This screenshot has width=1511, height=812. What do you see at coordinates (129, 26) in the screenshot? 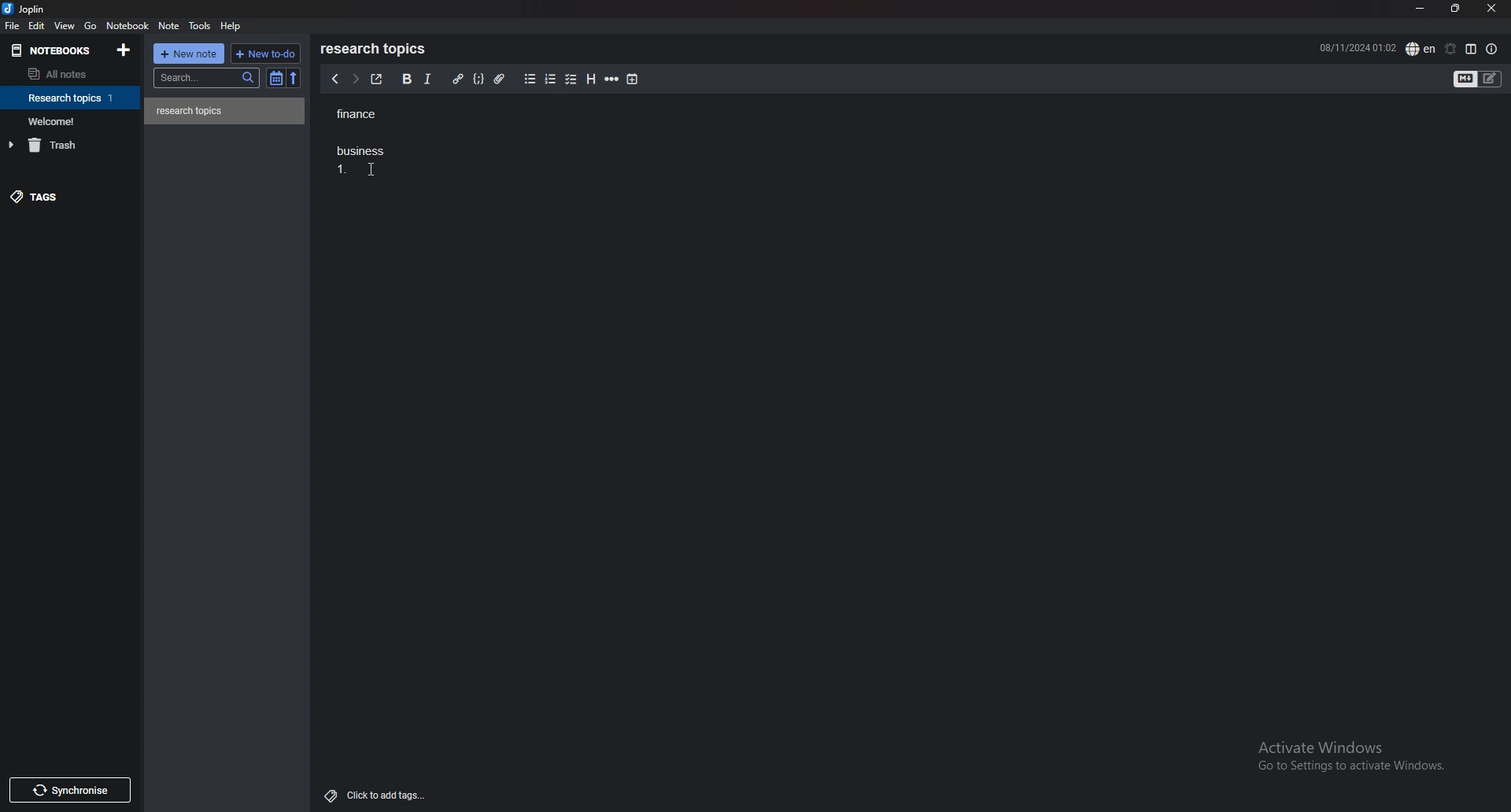
I see `notebook` at bounding box center [129, 26].